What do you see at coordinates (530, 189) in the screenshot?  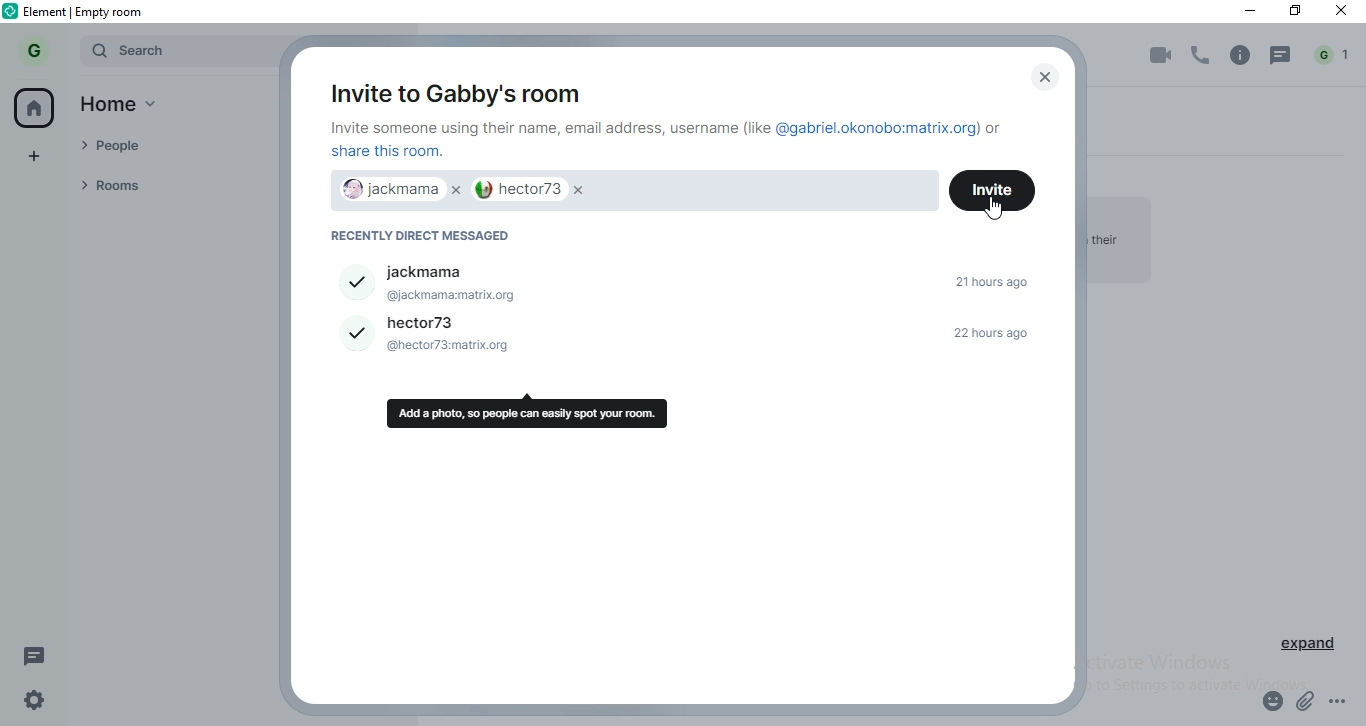 I see `hector73` at bounding box center [530, 189].